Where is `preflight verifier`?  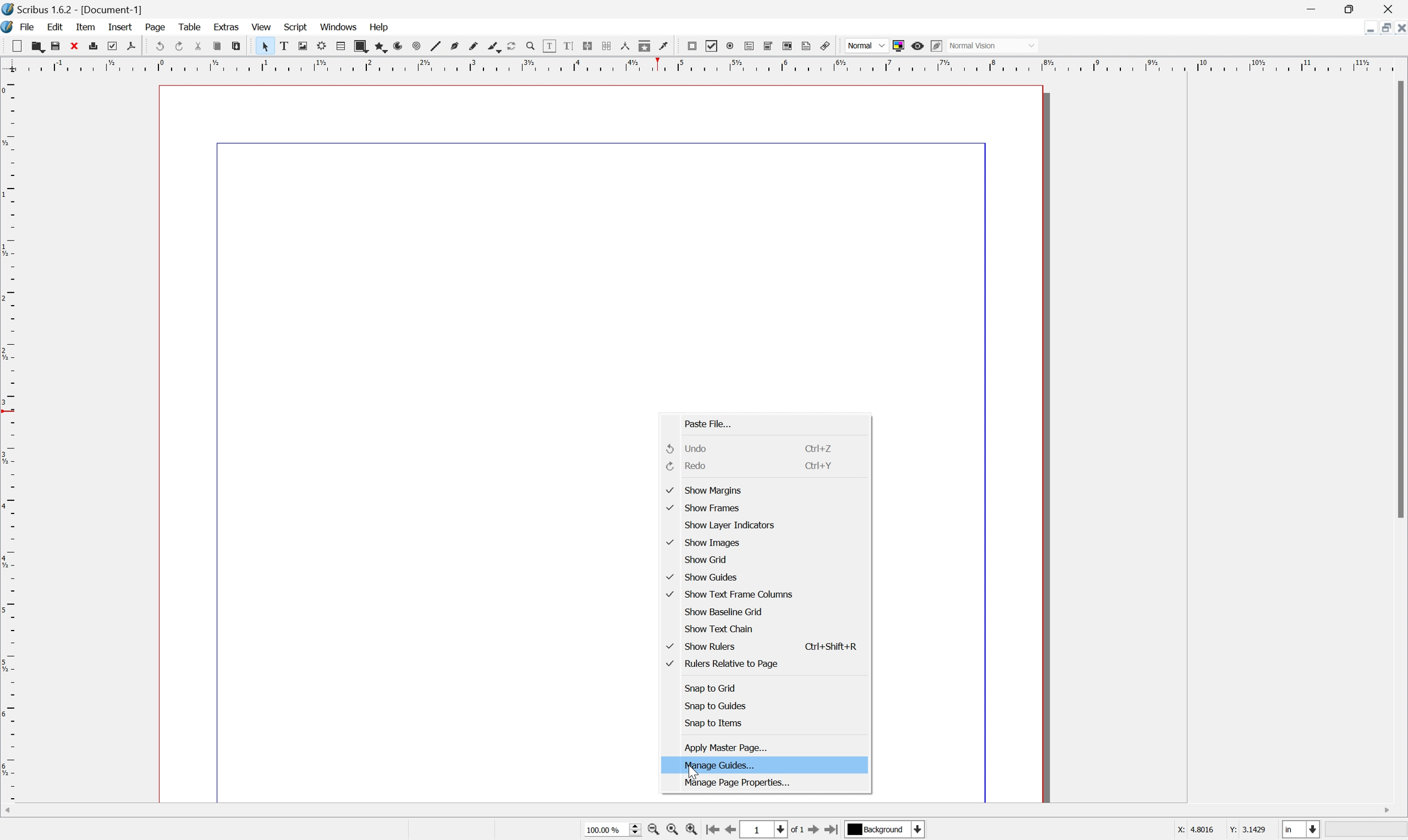
preflight verifier is located at coordinates (118, 46).